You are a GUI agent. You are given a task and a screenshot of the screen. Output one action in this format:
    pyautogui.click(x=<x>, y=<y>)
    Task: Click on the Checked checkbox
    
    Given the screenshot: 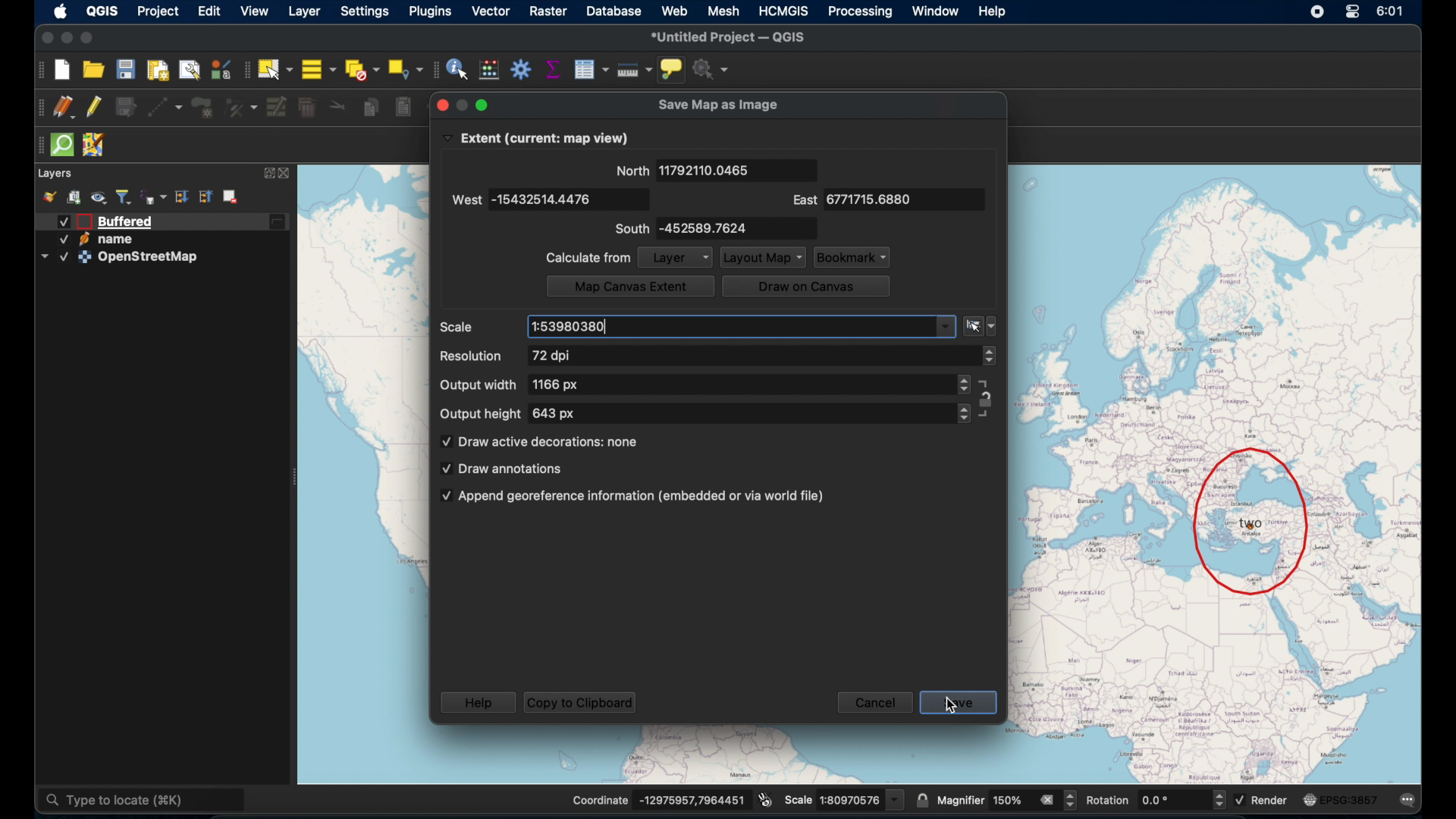 What is the action you would take?
    pyautogui.click(x=59, y=220)
    